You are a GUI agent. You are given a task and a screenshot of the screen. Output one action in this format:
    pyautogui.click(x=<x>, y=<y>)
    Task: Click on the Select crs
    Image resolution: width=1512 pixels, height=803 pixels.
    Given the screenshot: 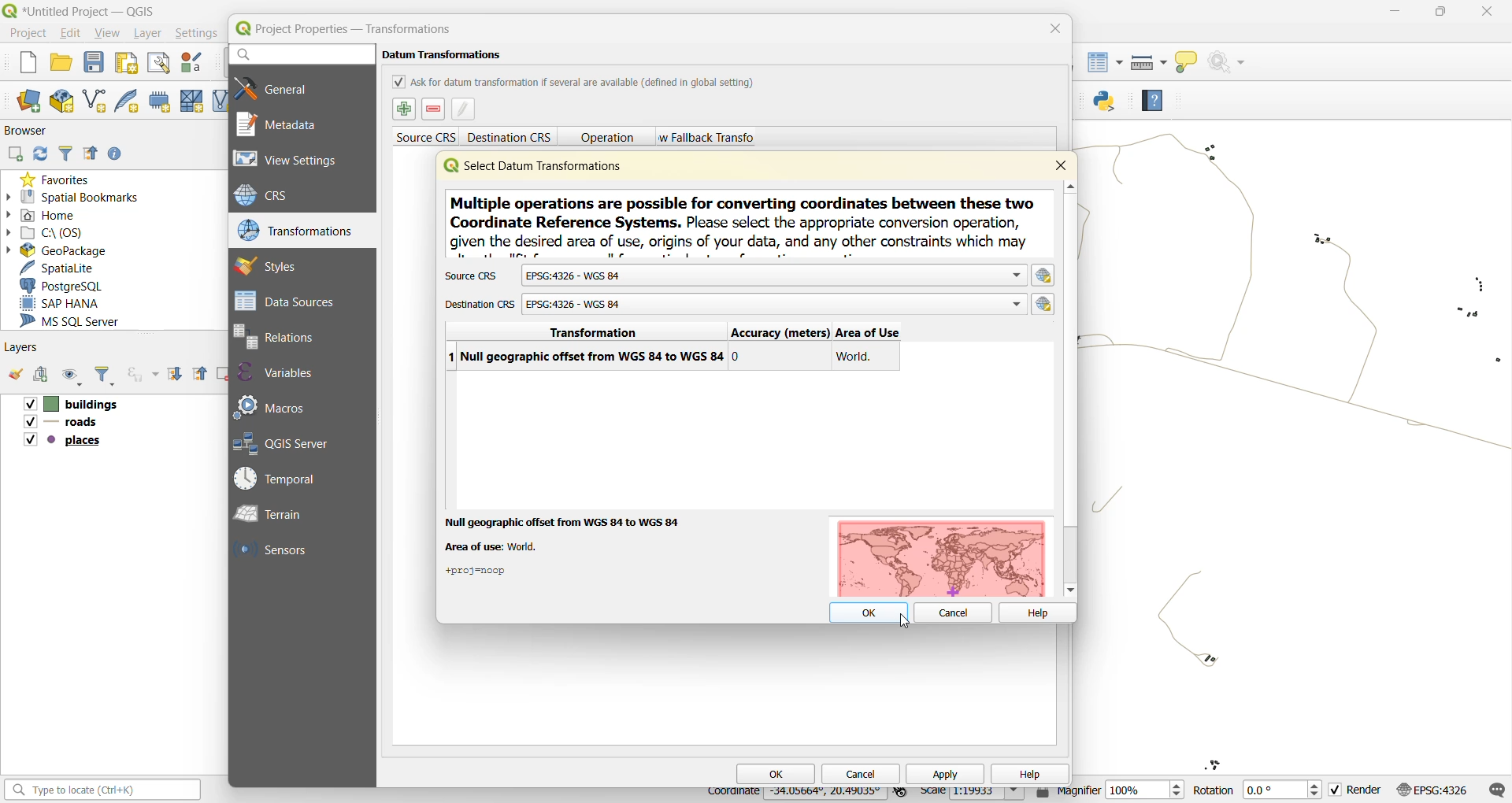 What is the action you would take?
    pyautogui.click(x=1044, y=303)
    